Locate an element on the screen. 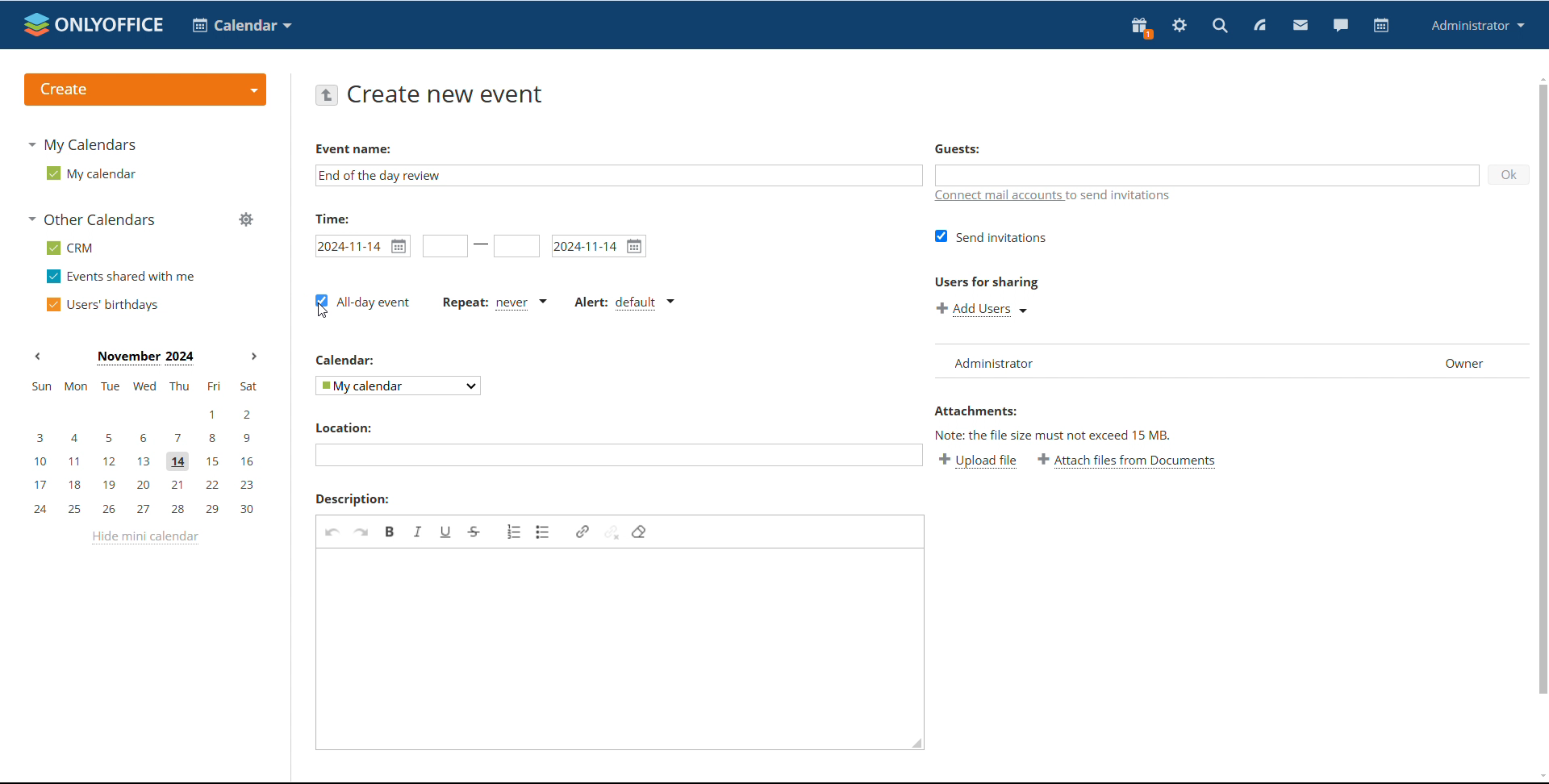 Image resolution: width=1549 pixels, height=784 pixels. scroll up is located at coordinates (1539, 77).